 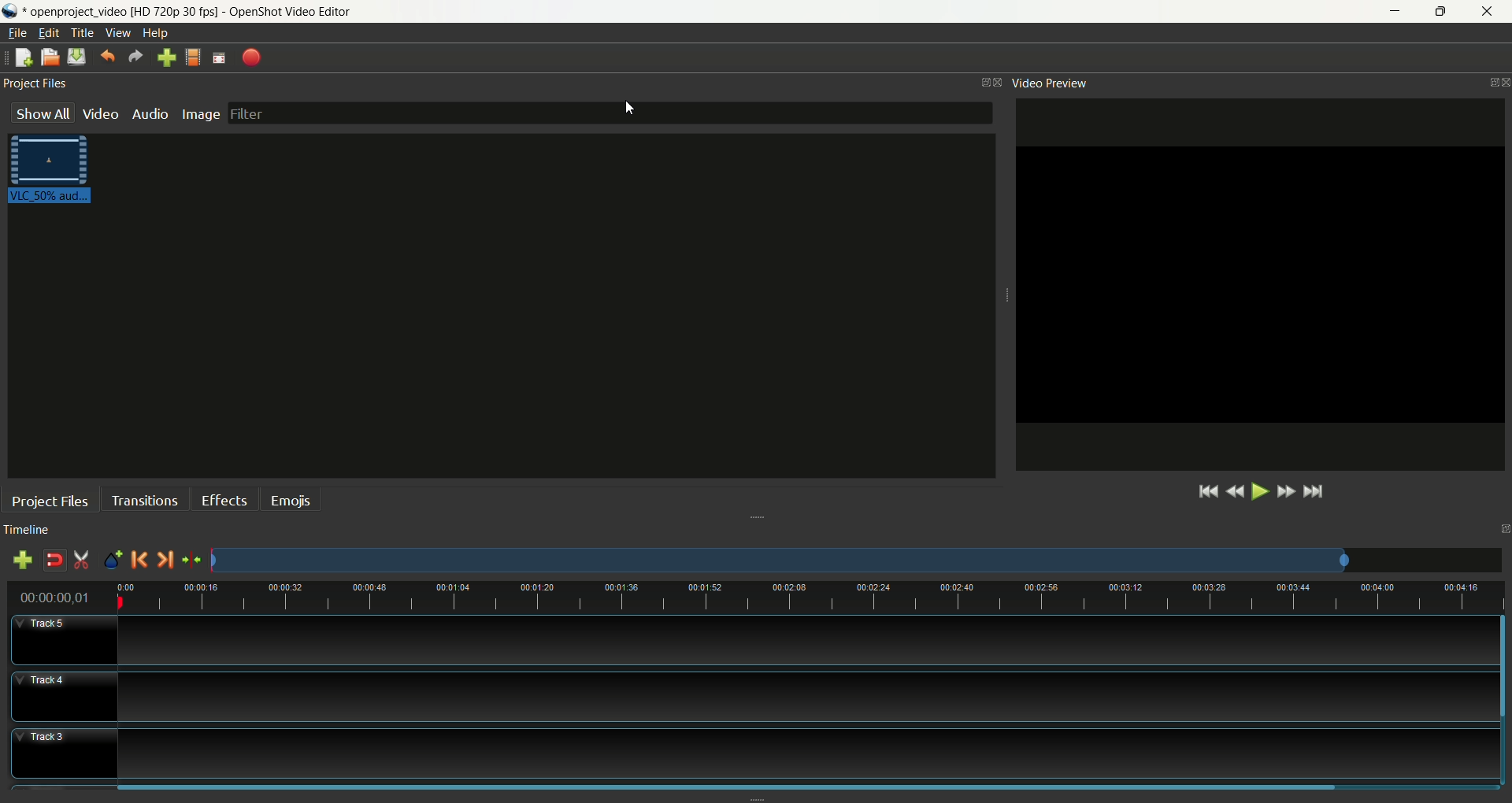 What do you see at coordinates (23, 560) in the screenshot?
I see `add track` at bounding box center [23, 560].